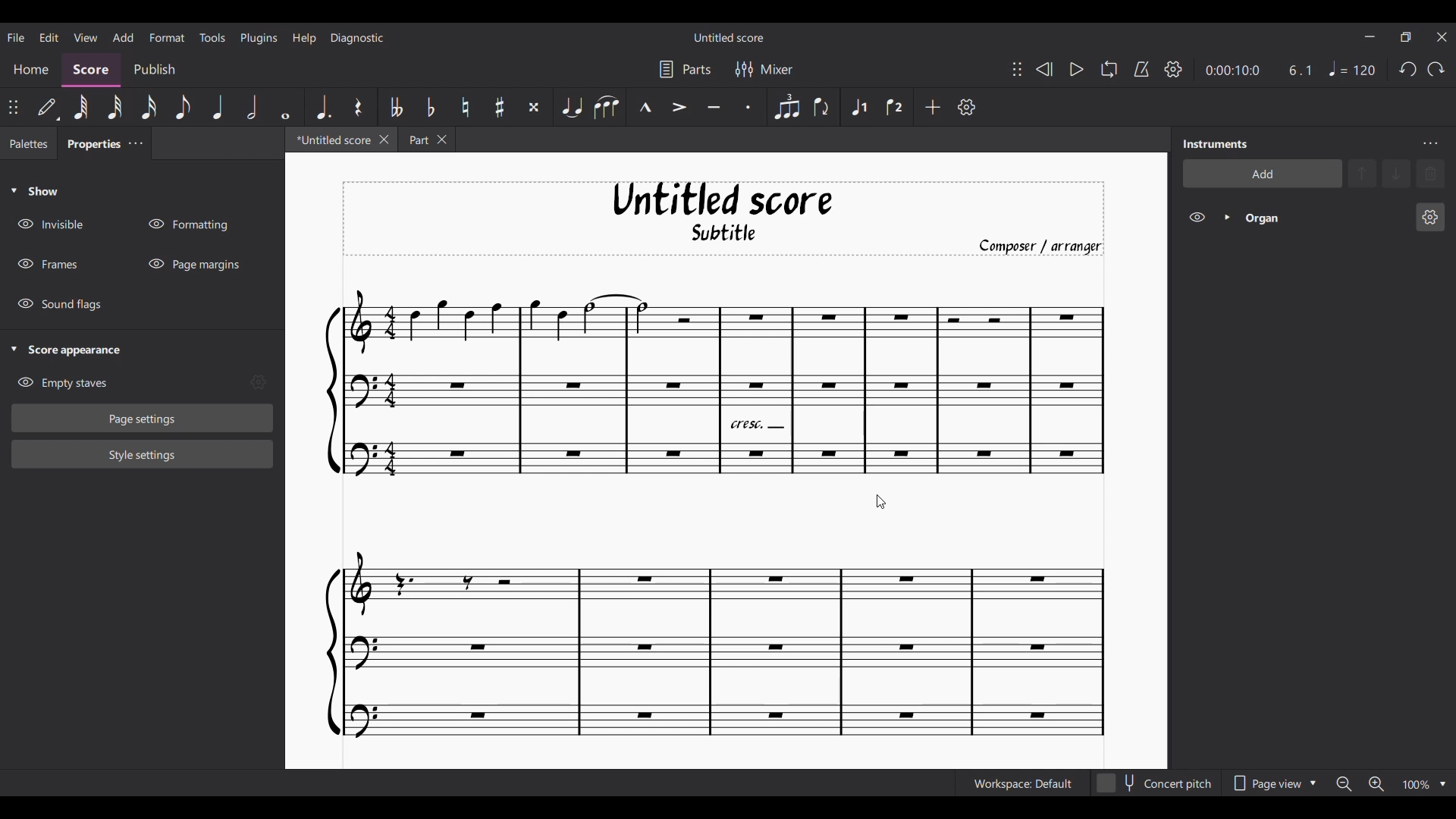 The width and height of the screenshot is (1456, 819). What do you see at coordinates (149, 108) in the screenshot?
I see `16th note` at bounding box center [149, 108].